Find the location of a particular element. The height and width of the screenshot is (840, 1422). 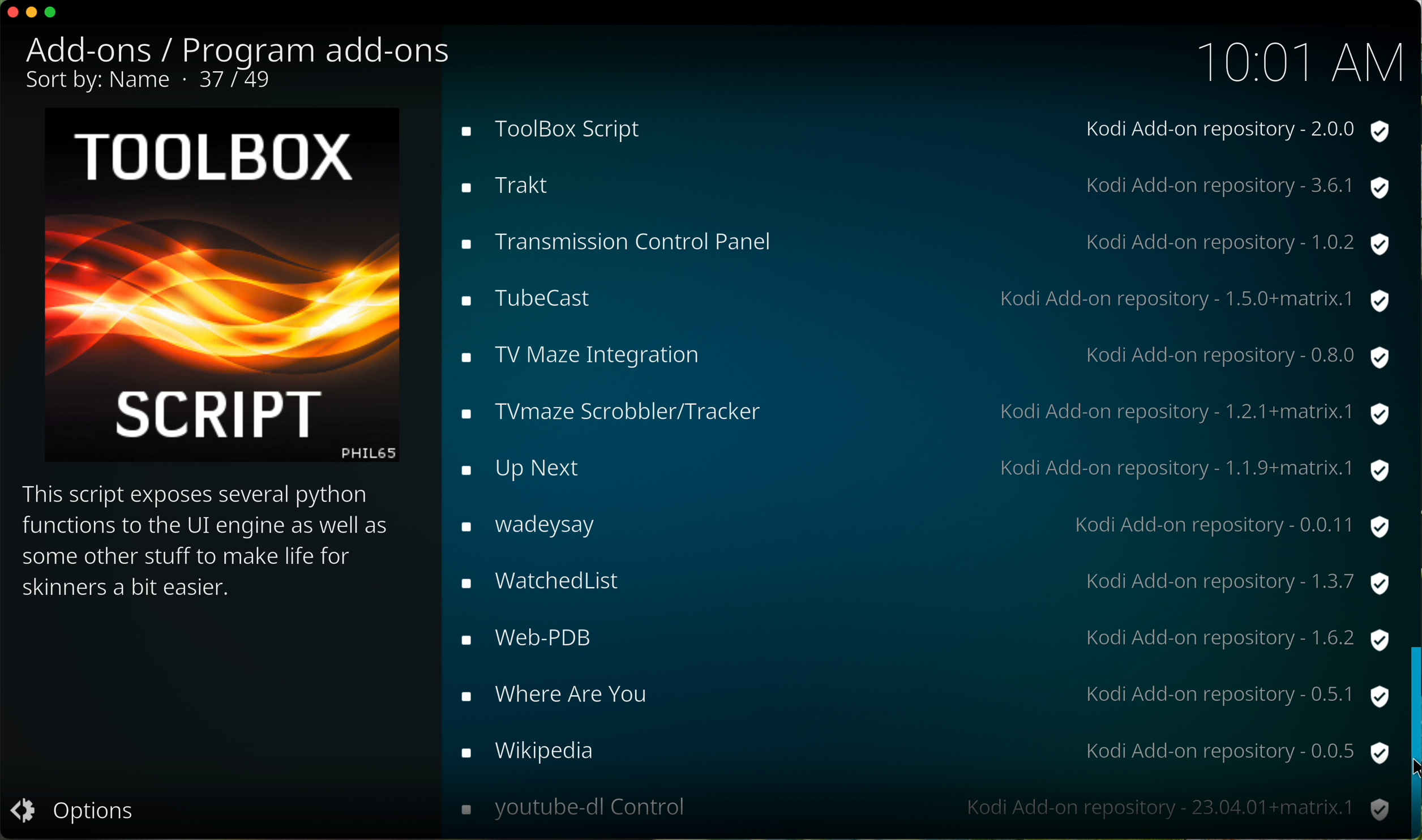

transmission control panel is located at coordinates (920, 240).